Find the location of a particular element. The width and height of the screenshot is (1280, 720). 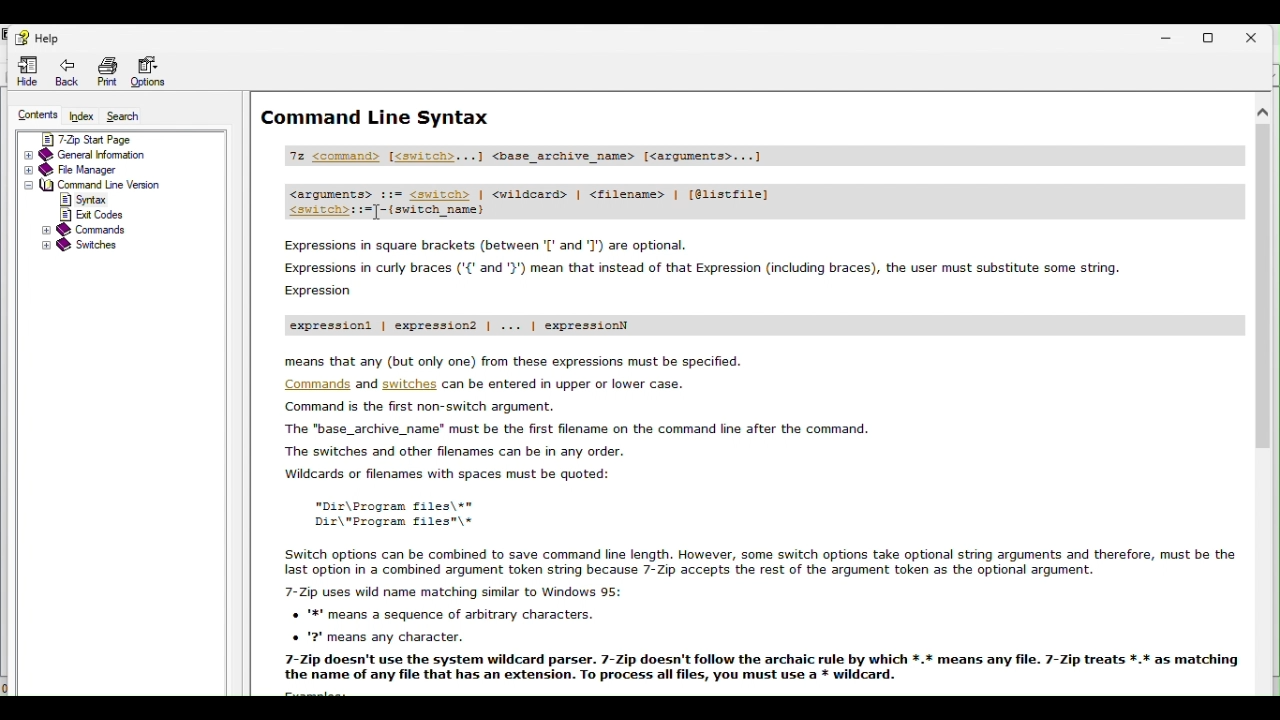

<command> <switch> is located at coordinates (396, 157).